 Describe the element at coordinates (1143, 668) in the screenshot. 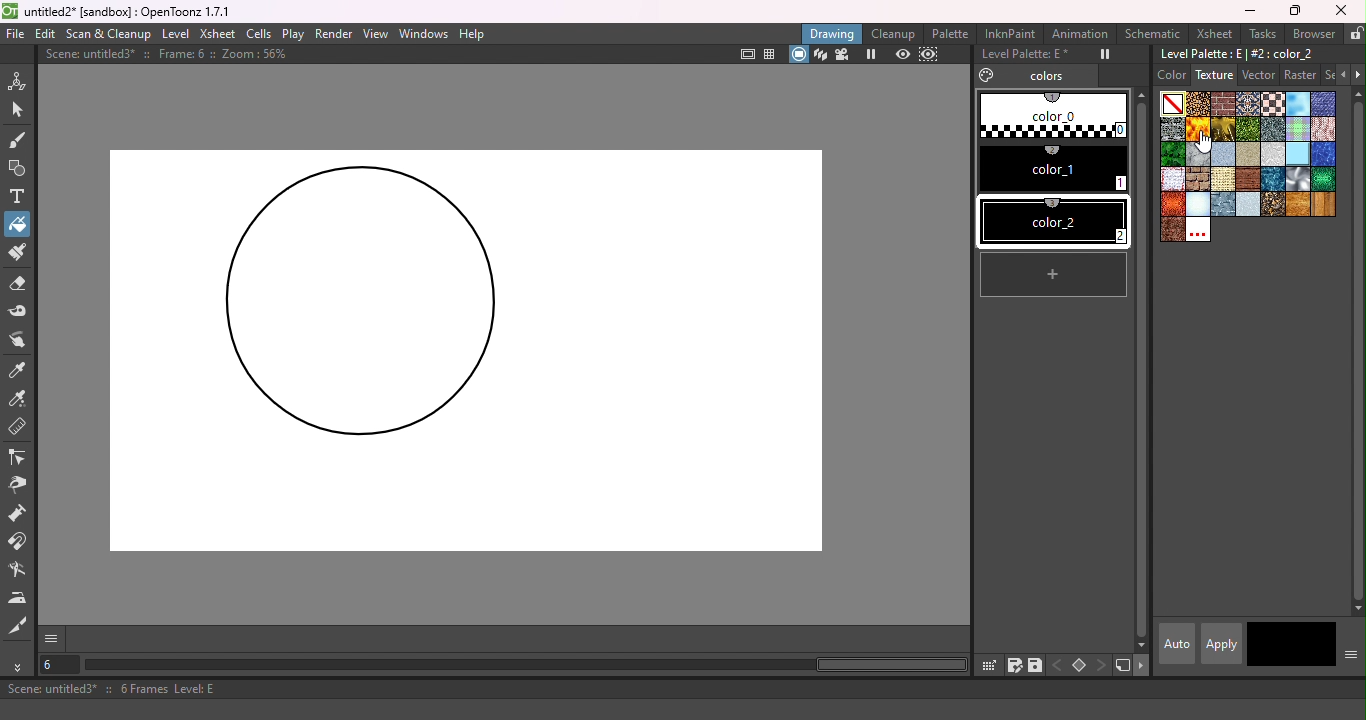

I see `next ` at that location.